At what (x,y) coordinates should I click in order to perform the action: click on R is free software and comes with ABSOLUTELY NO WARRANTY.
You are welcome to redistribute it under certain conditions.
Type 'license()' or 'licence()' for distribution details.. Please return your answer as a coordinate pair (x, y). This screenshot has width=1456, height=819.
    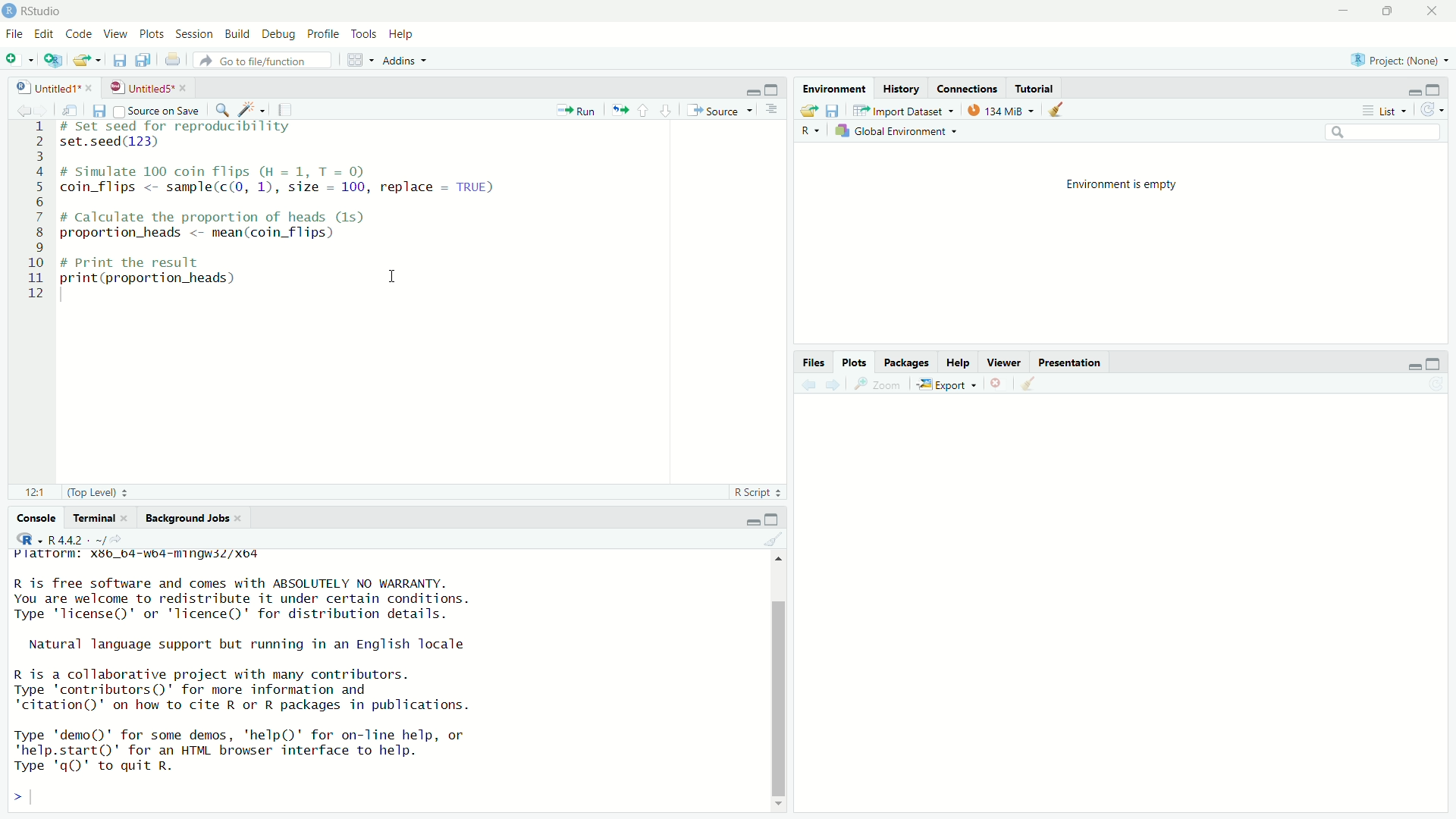
    Looking at the image, I should click on (313, 600).